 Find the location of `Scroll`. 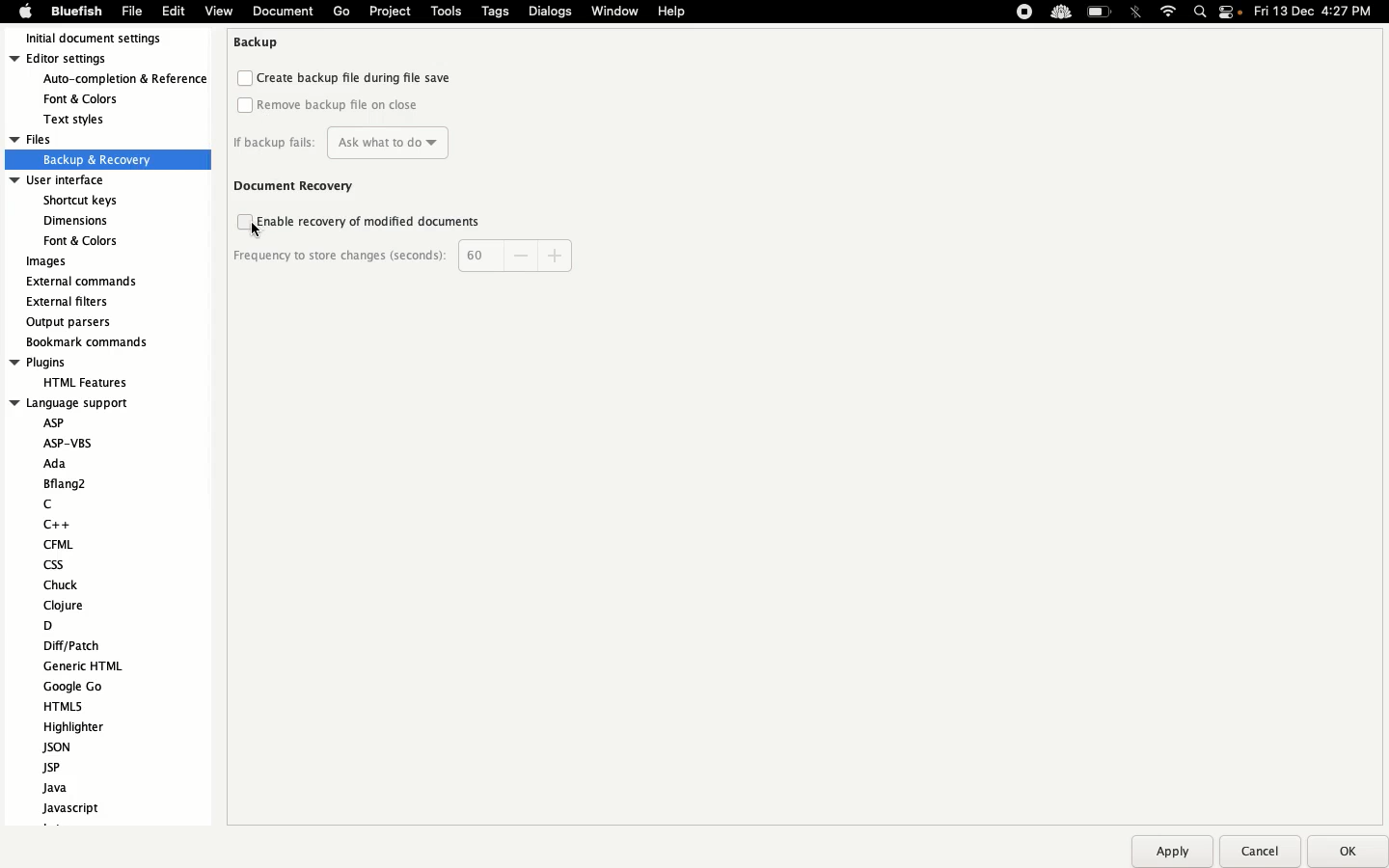

Scroll is located at coordinates (208, 319).